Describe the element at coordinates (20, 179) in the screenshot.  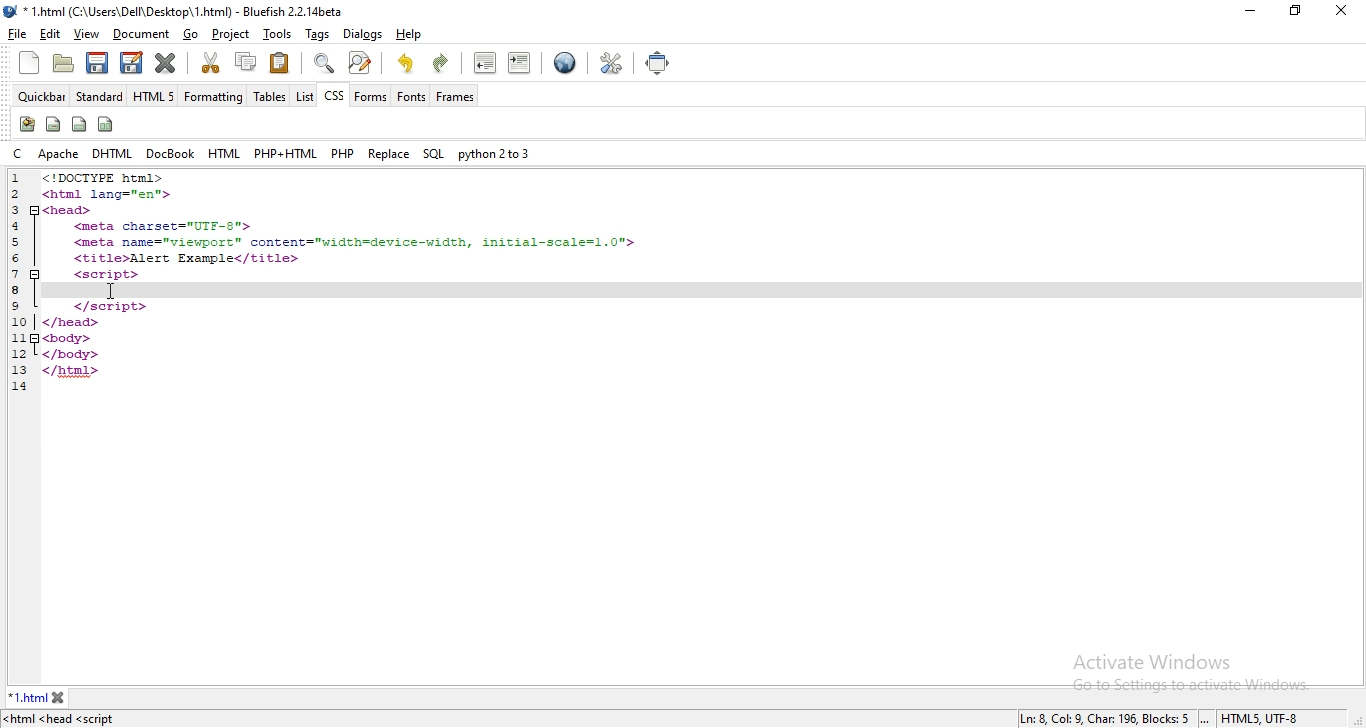
I see `1` at that location.